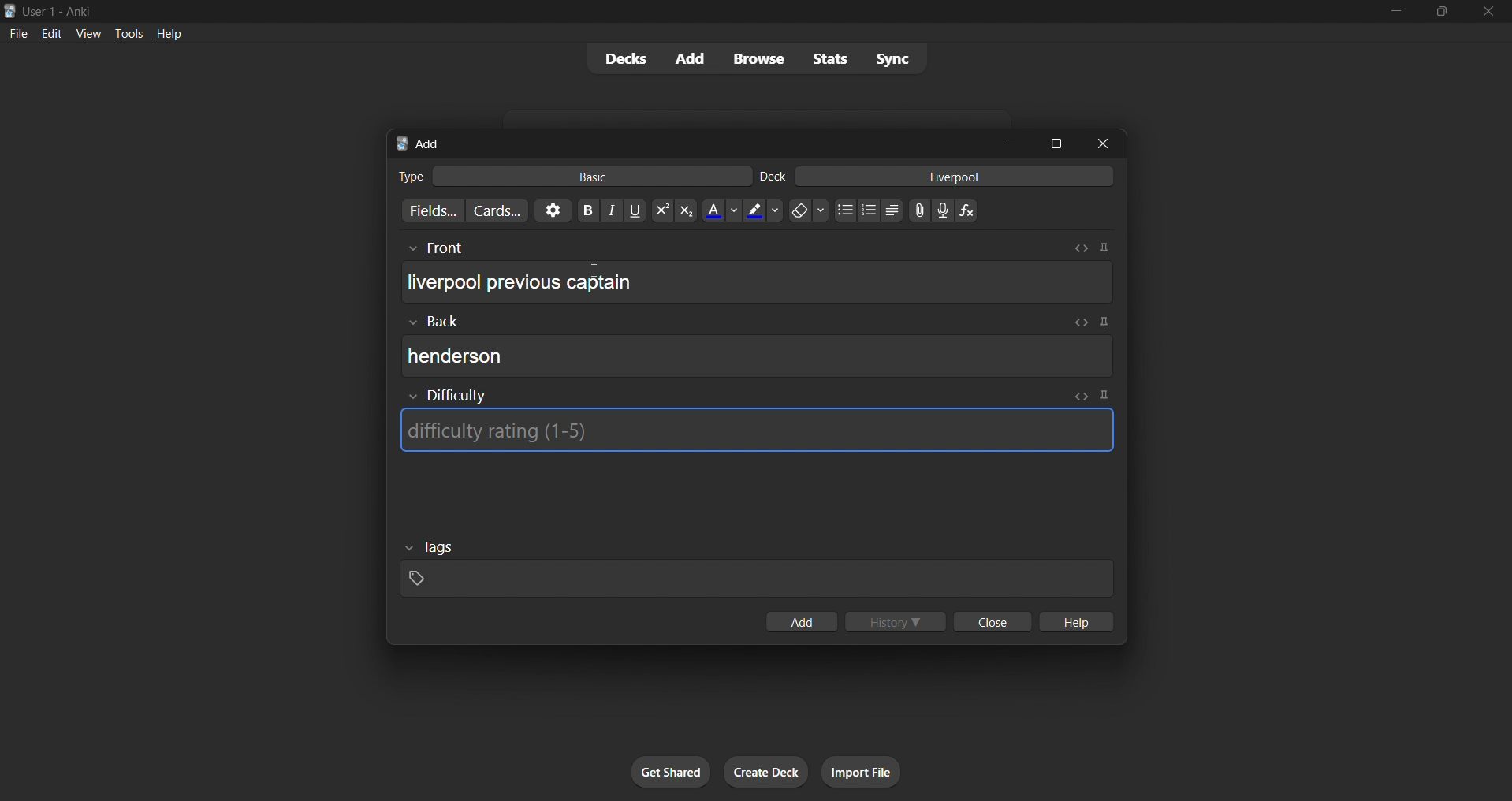 The image size is (1512, 801). I want to click on create deck, so click(767, 773).